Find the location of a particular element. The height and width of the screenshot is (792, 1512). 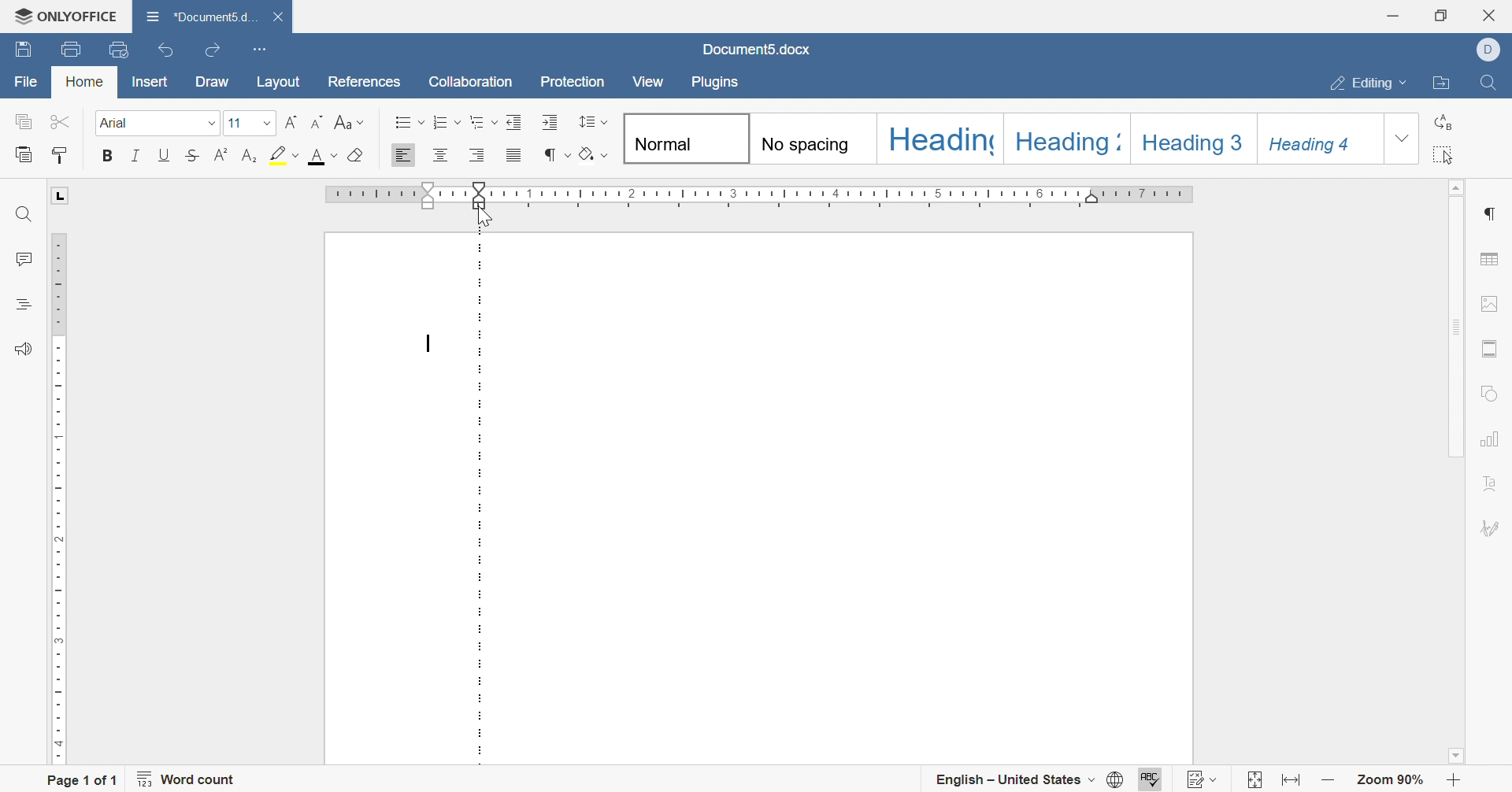

underline is located at coordinates (165, 154).